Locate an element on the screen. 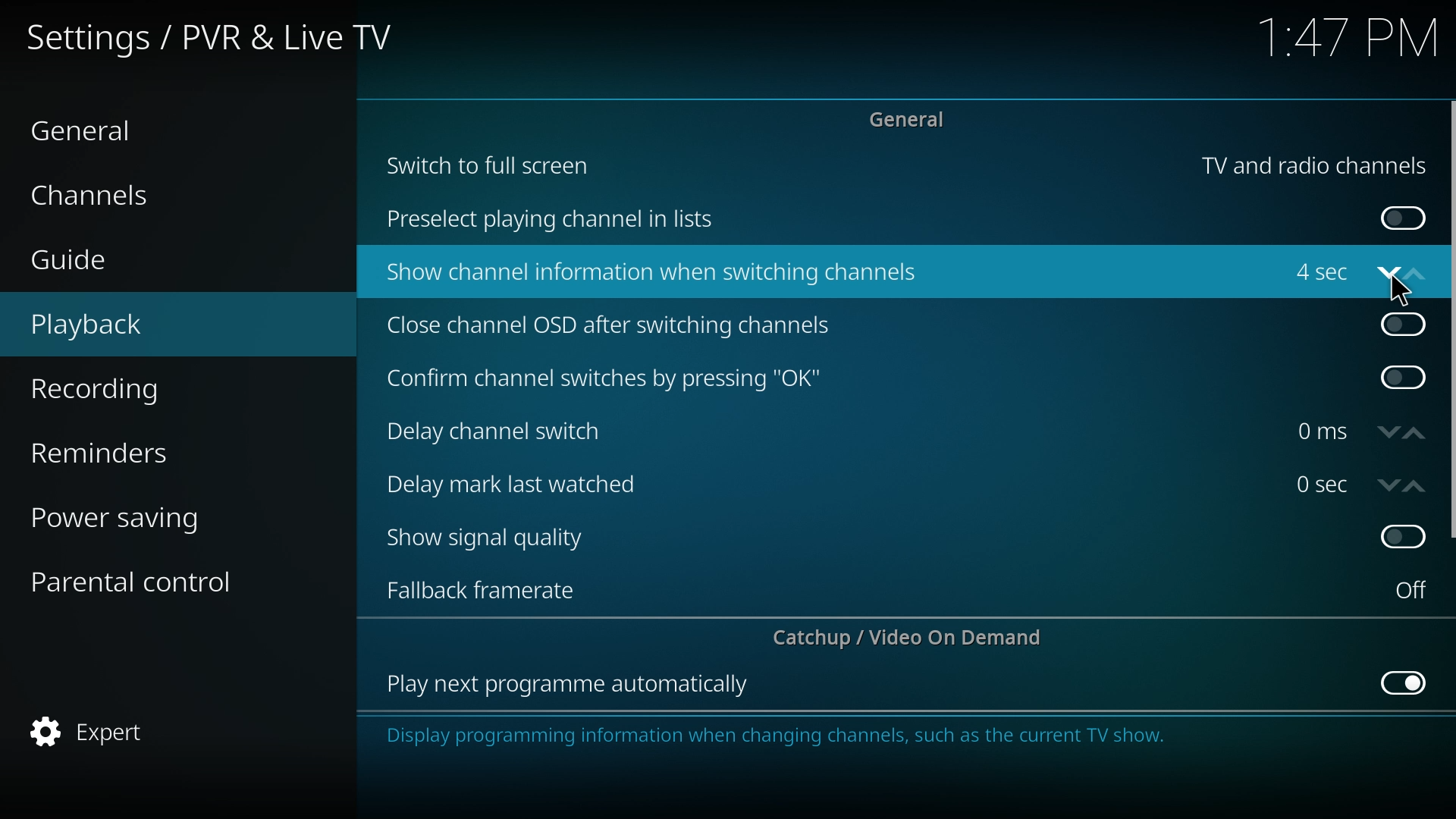  parental control is located at coordinates (146, 580).